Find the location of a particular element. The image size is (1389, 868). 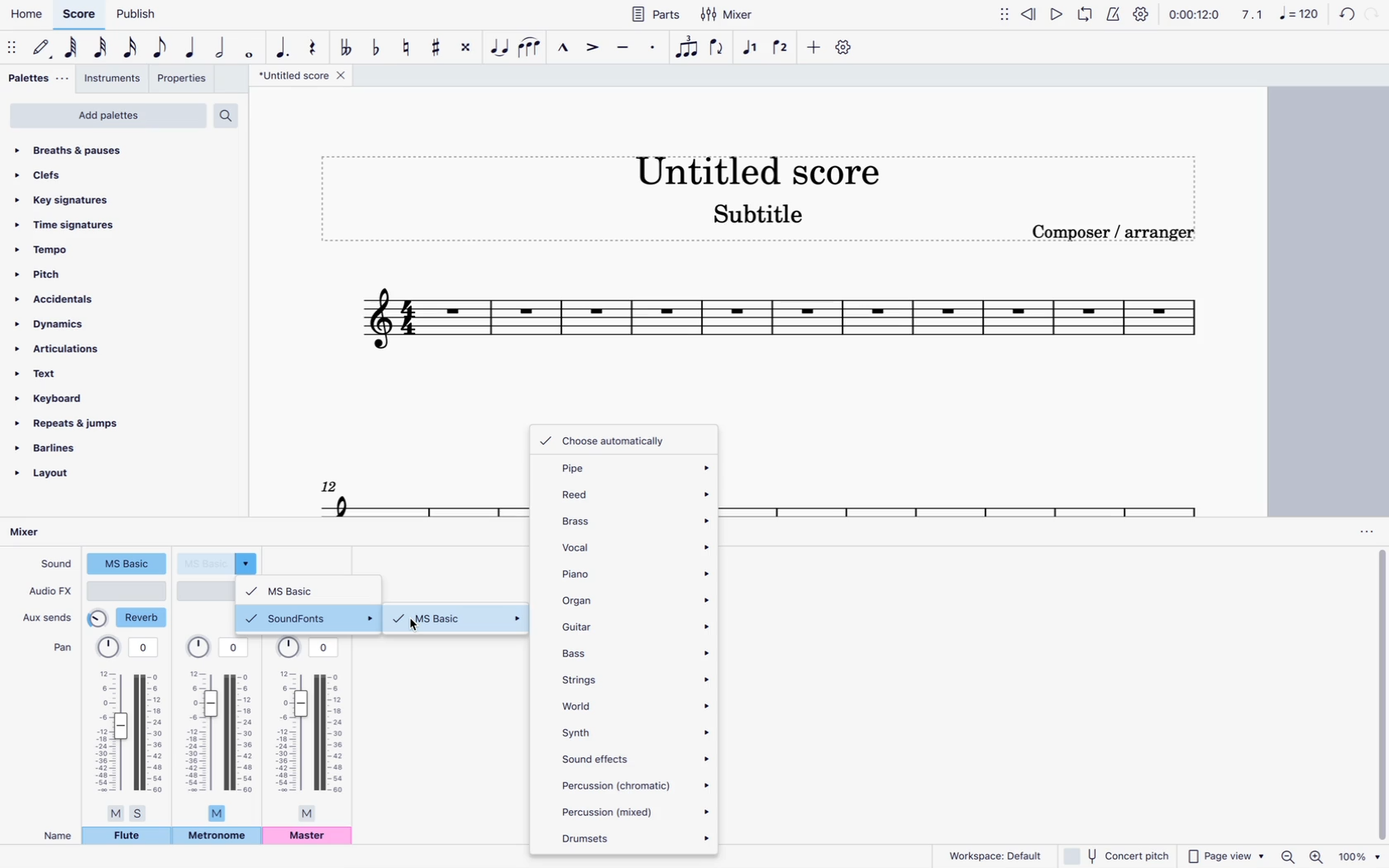

slur is located at coordinates (534, 48).